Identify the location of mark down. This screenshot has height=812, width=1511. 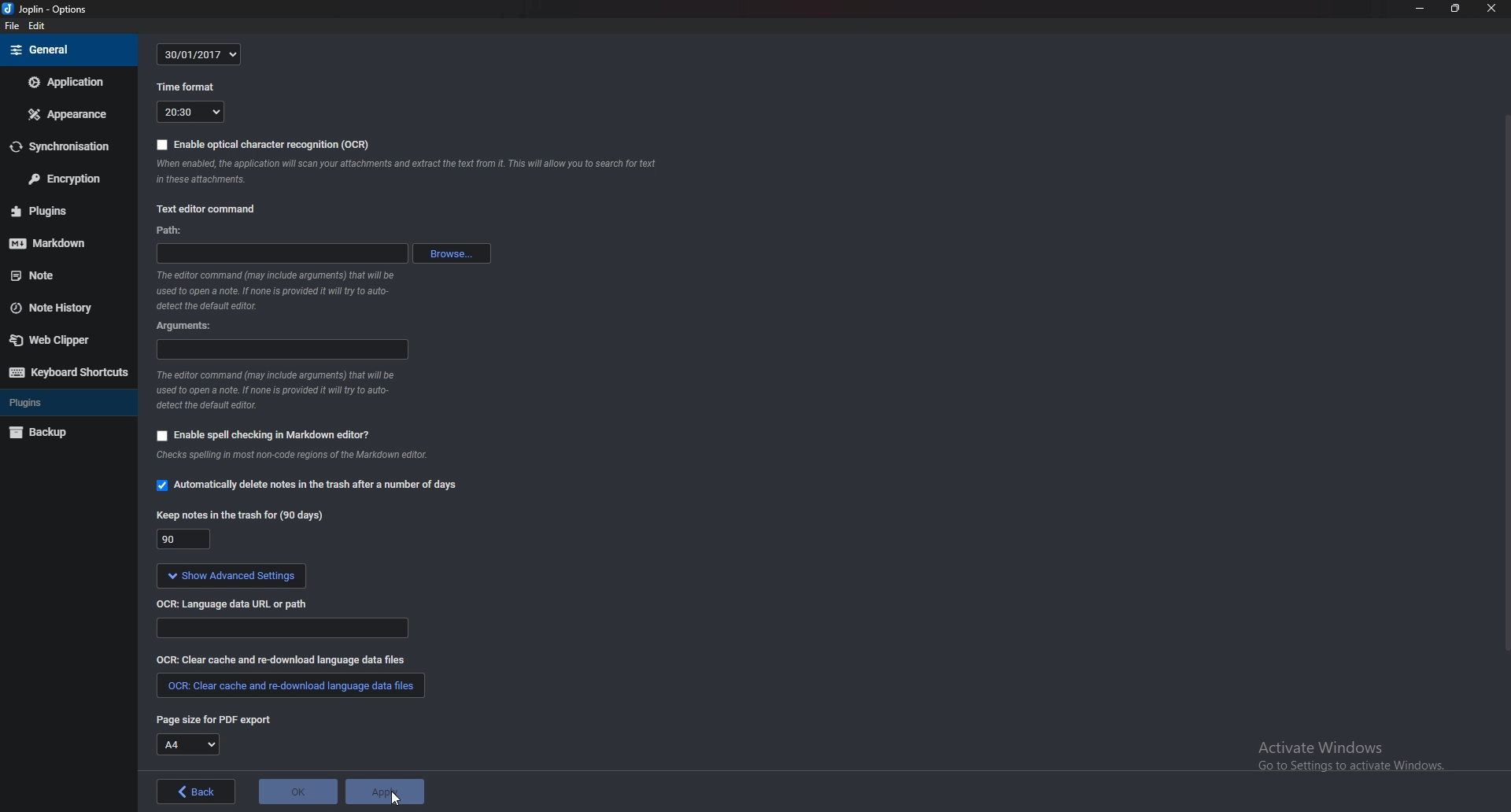
(53, 244).